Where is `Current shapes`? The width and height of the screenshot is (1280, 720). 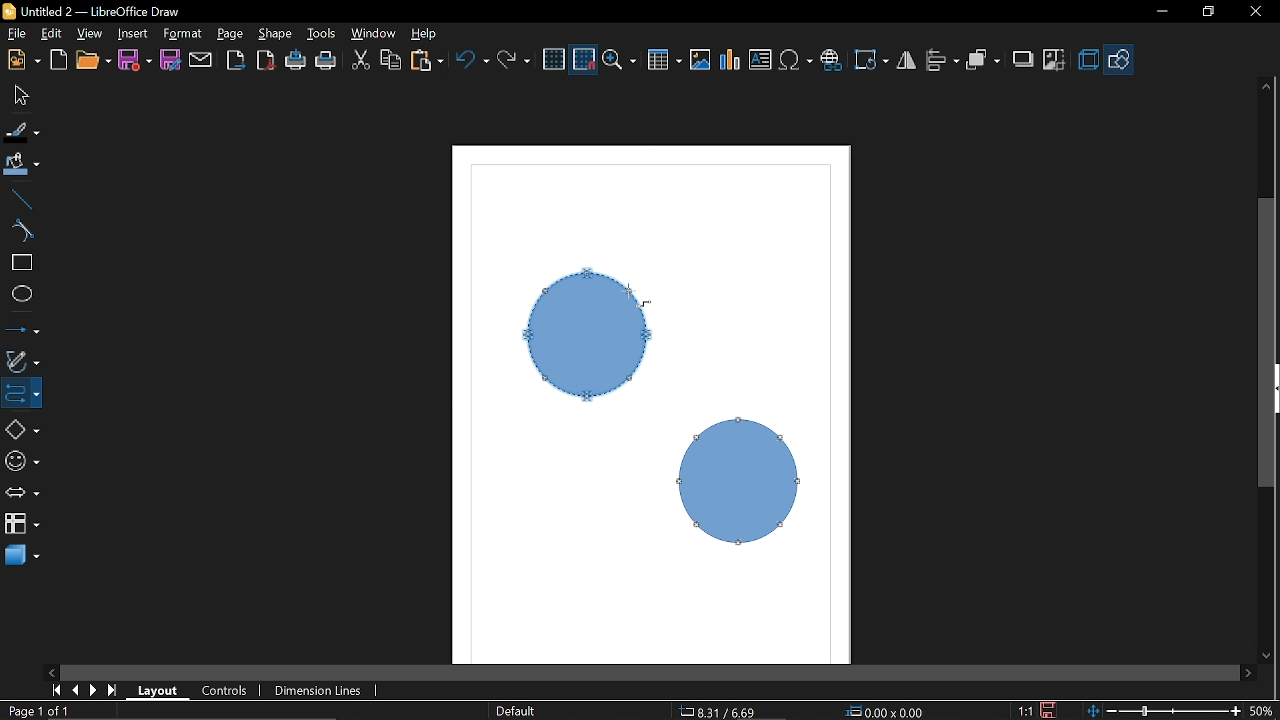 Current shapes is located at coordinates (649, 388).